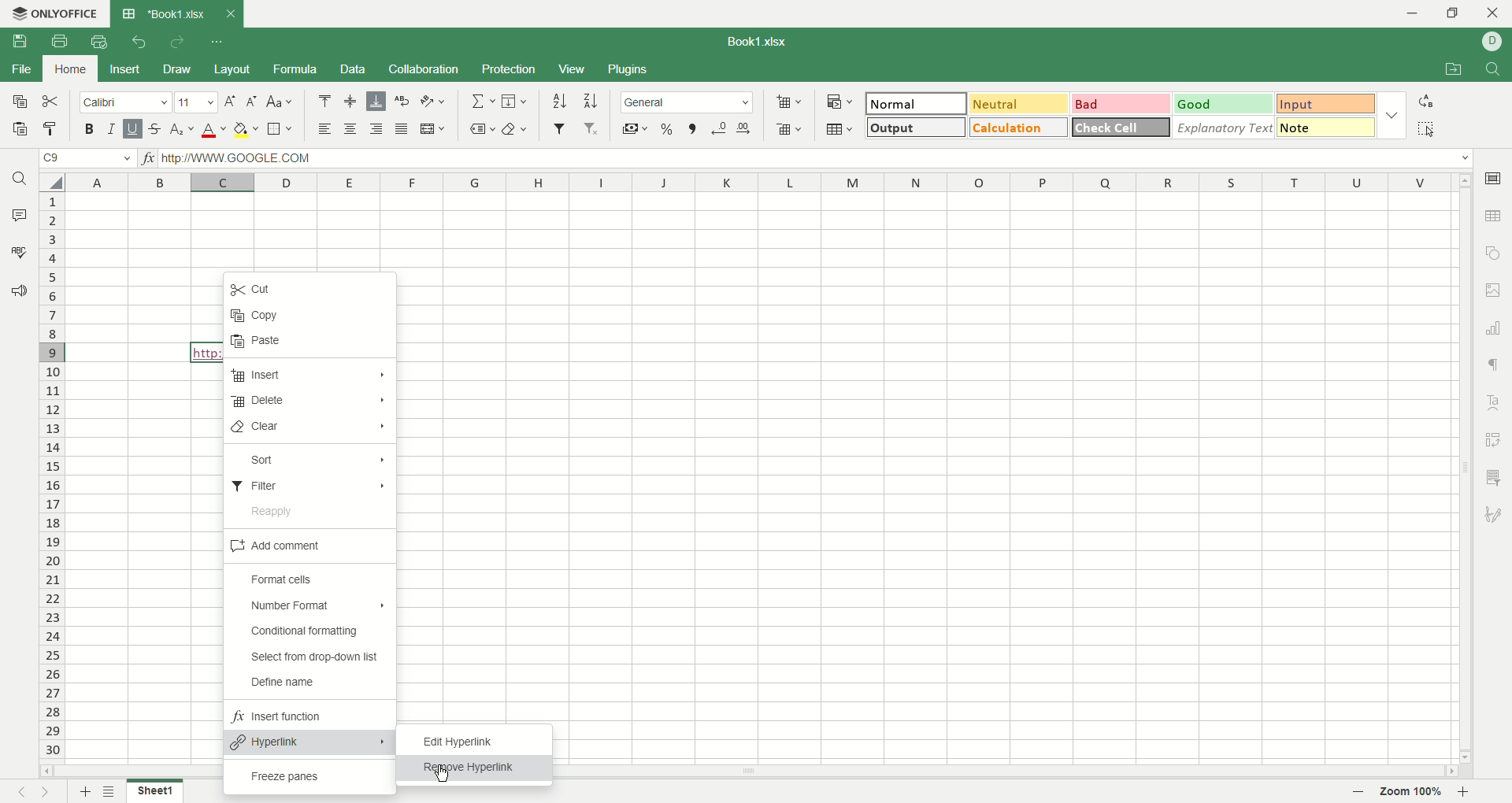 The image size is (1512, 803). I want to click on note, so click(1326, 126).